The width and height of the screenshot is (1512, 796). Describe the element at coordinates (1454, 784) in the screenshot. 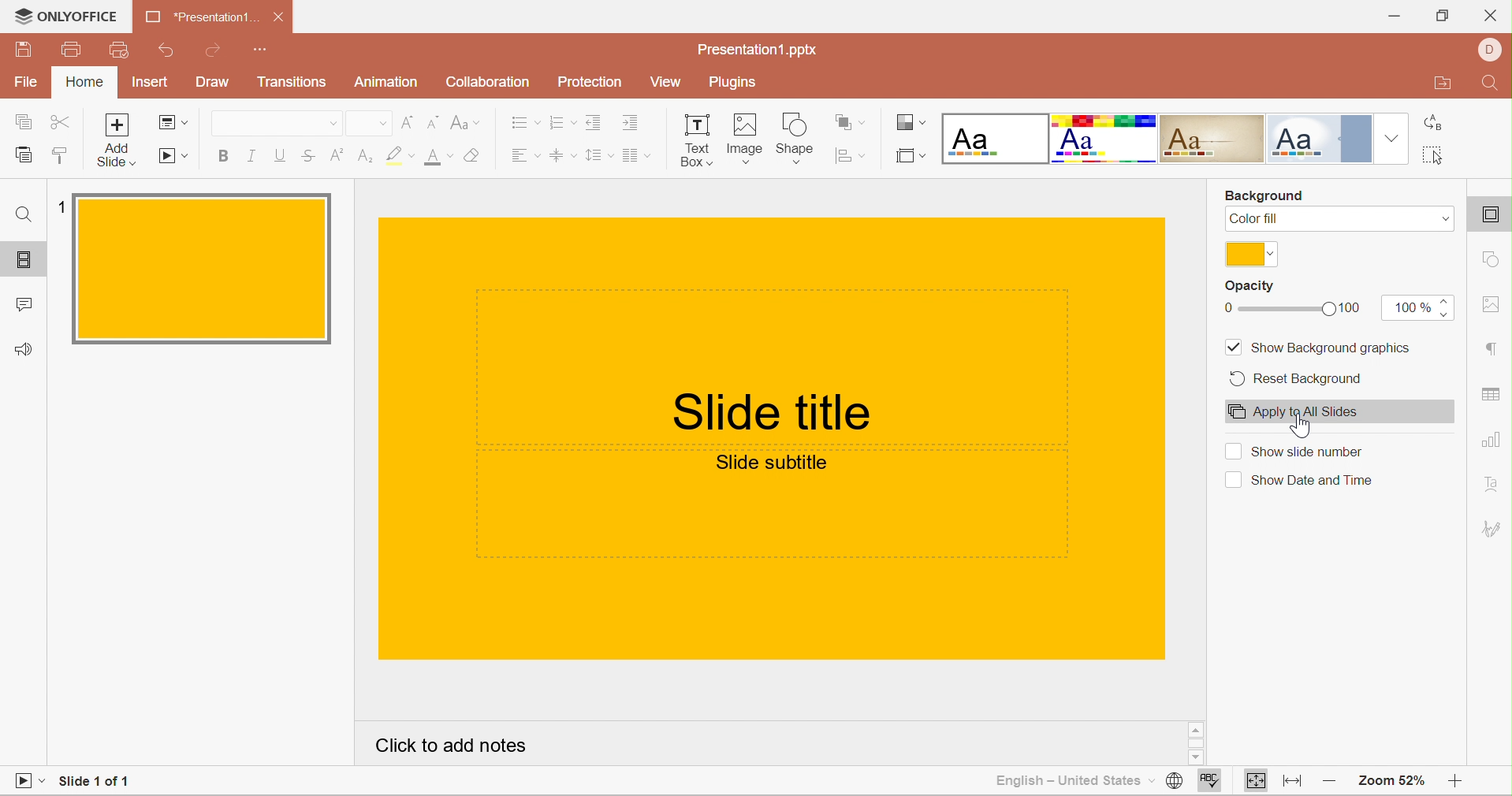

I see `Zoom in` at that location.